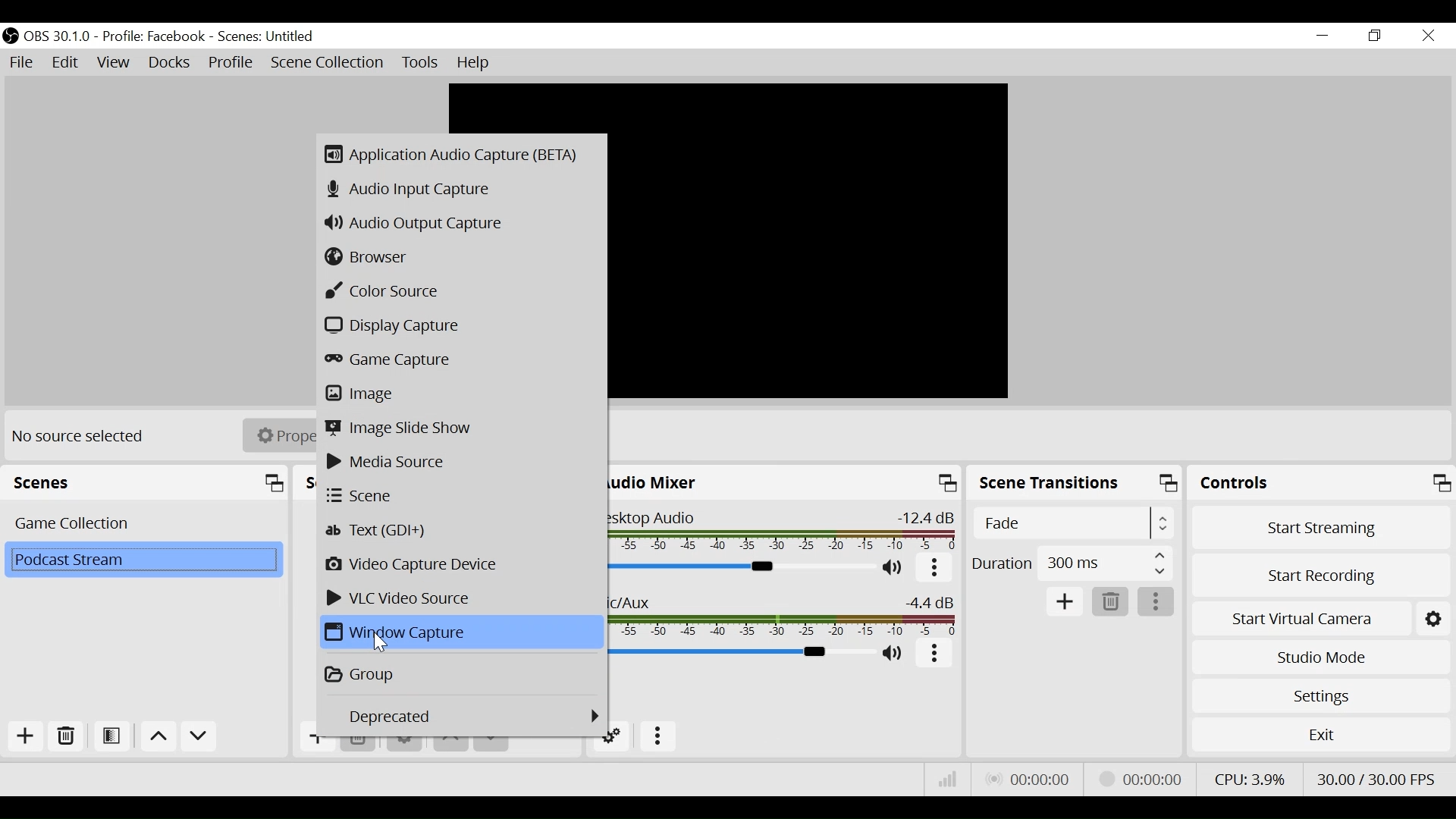  What do you see at coordinates (1427, 36) in the screenshot?
I see `Close` at bounding box center [1427, 36].